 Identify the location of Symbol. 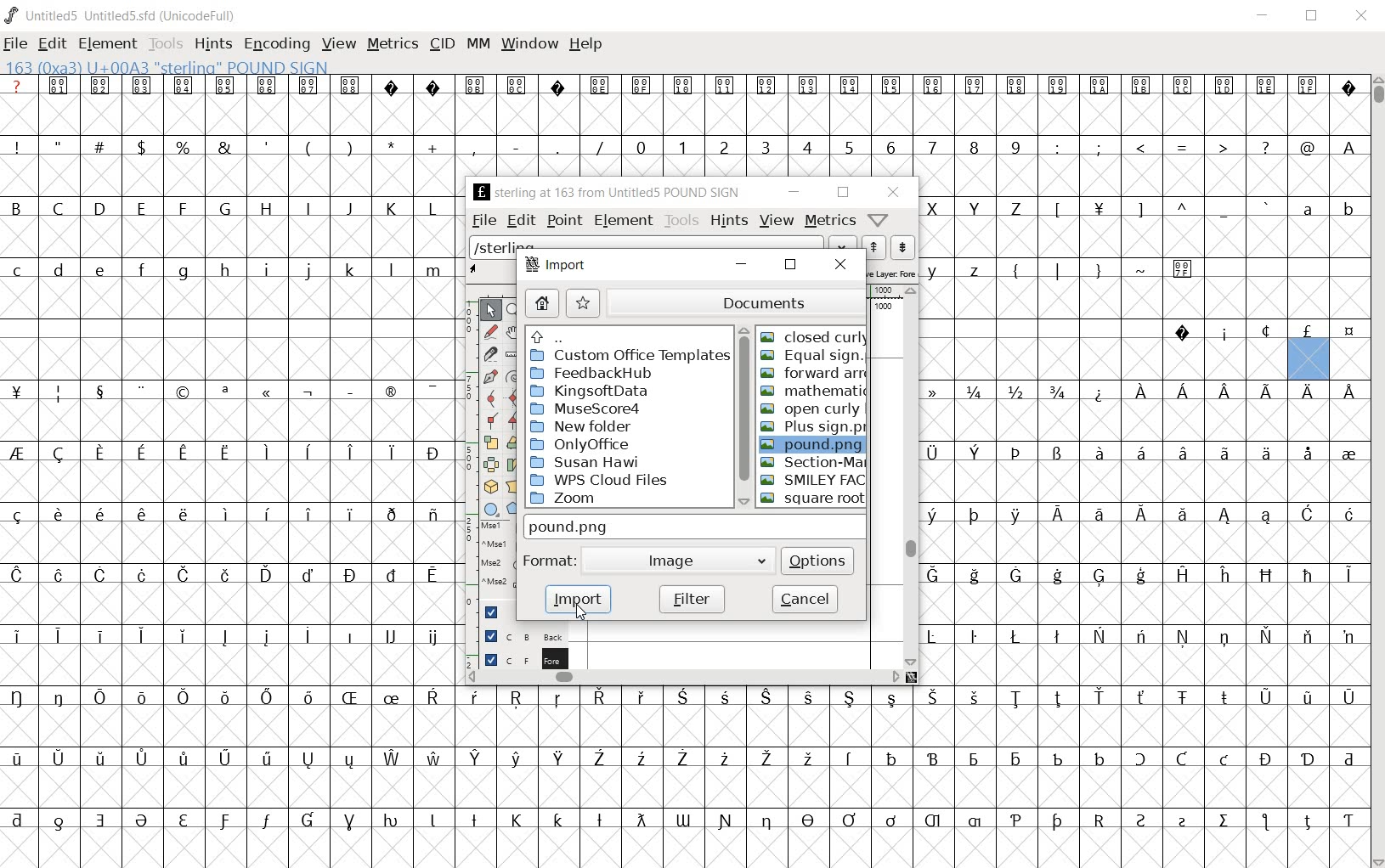
(1308, 576).